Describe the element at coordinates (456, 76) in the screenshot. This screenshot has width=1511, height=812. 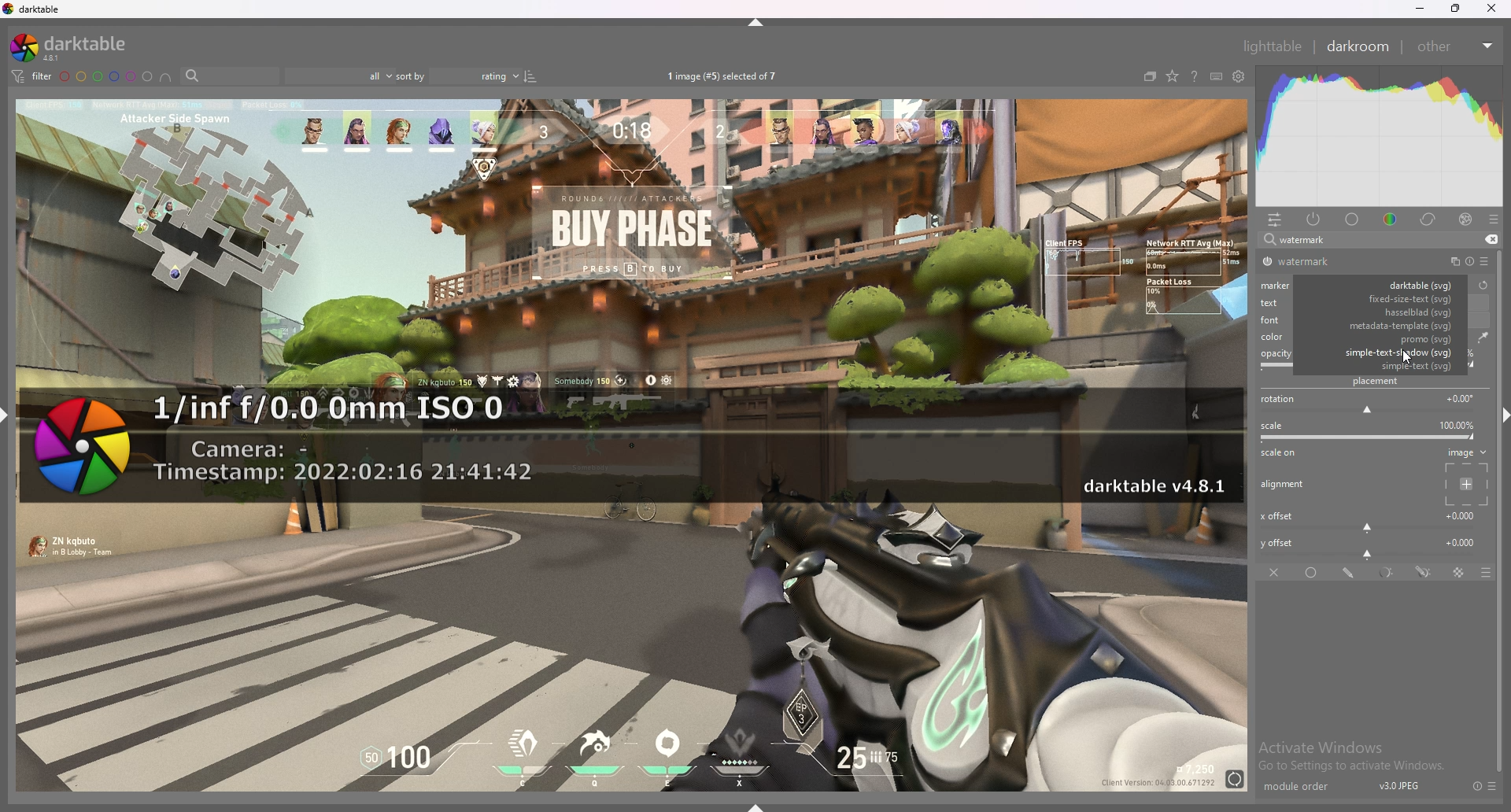
I see `sort by` at that location.